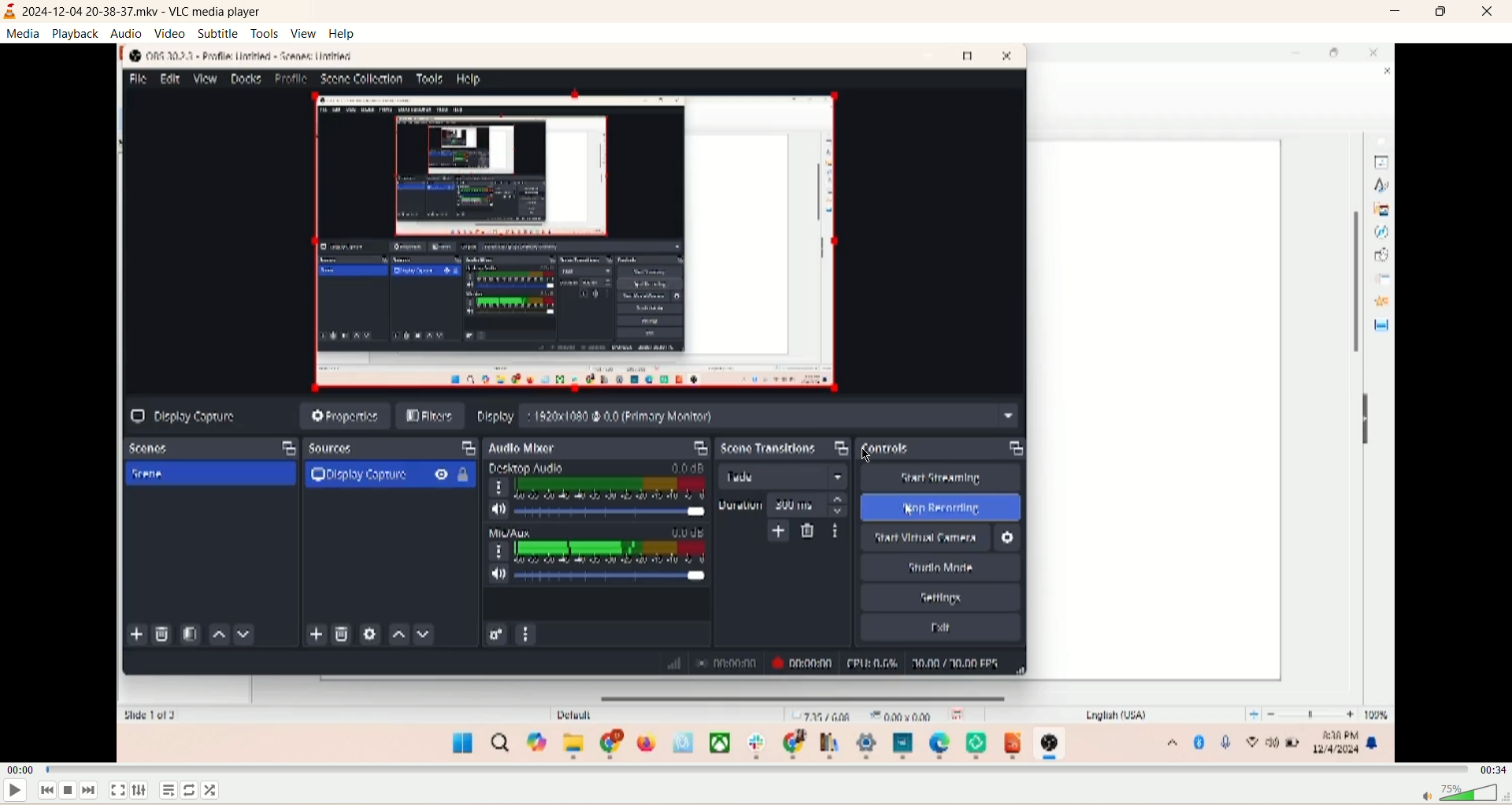 The image size is (1512, 805). What do you see at coordinates (24, 35) in the screenshot?
I see `media` at bounding box center [24, 35].